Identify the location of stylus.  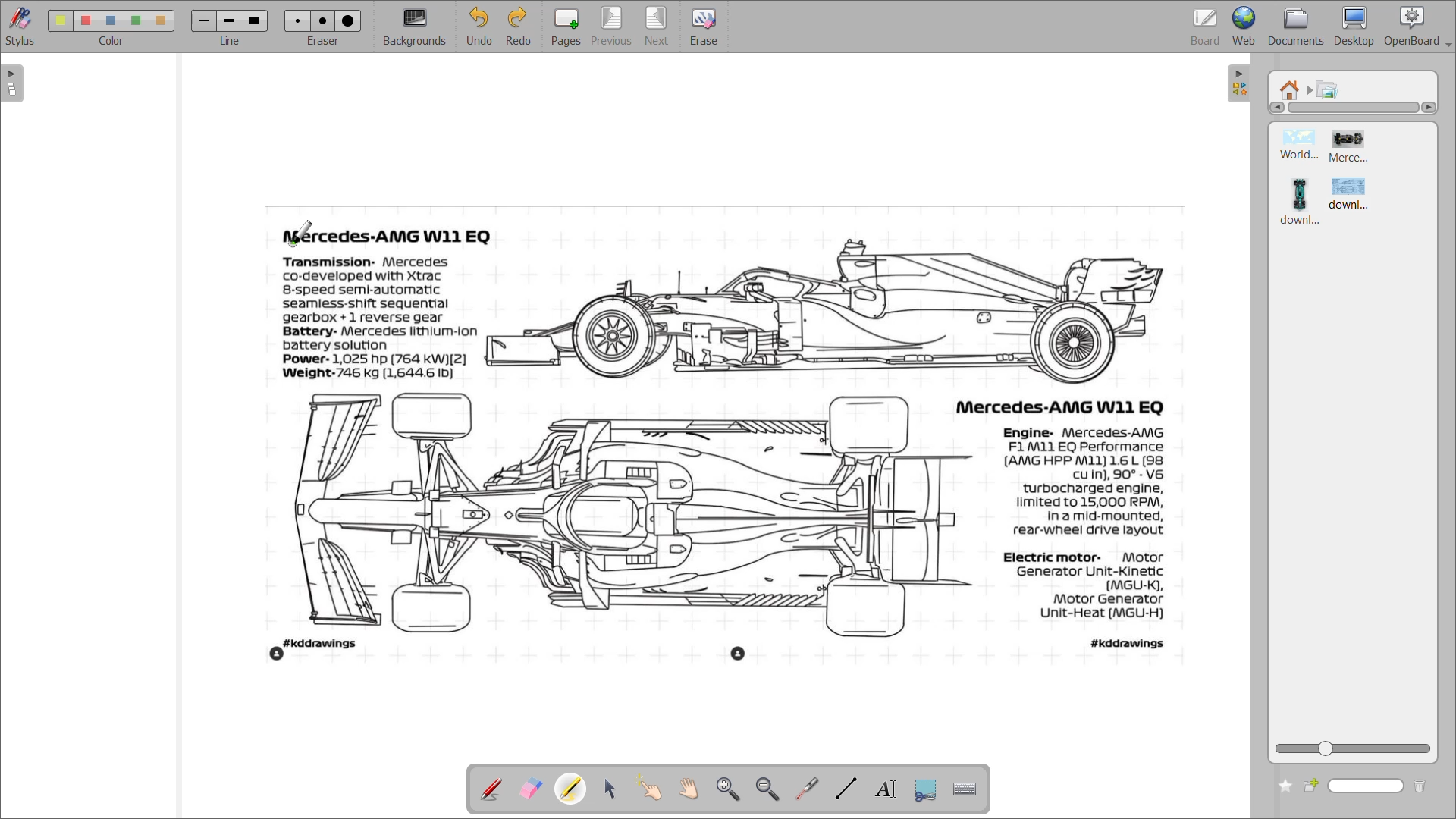
(20, 27).